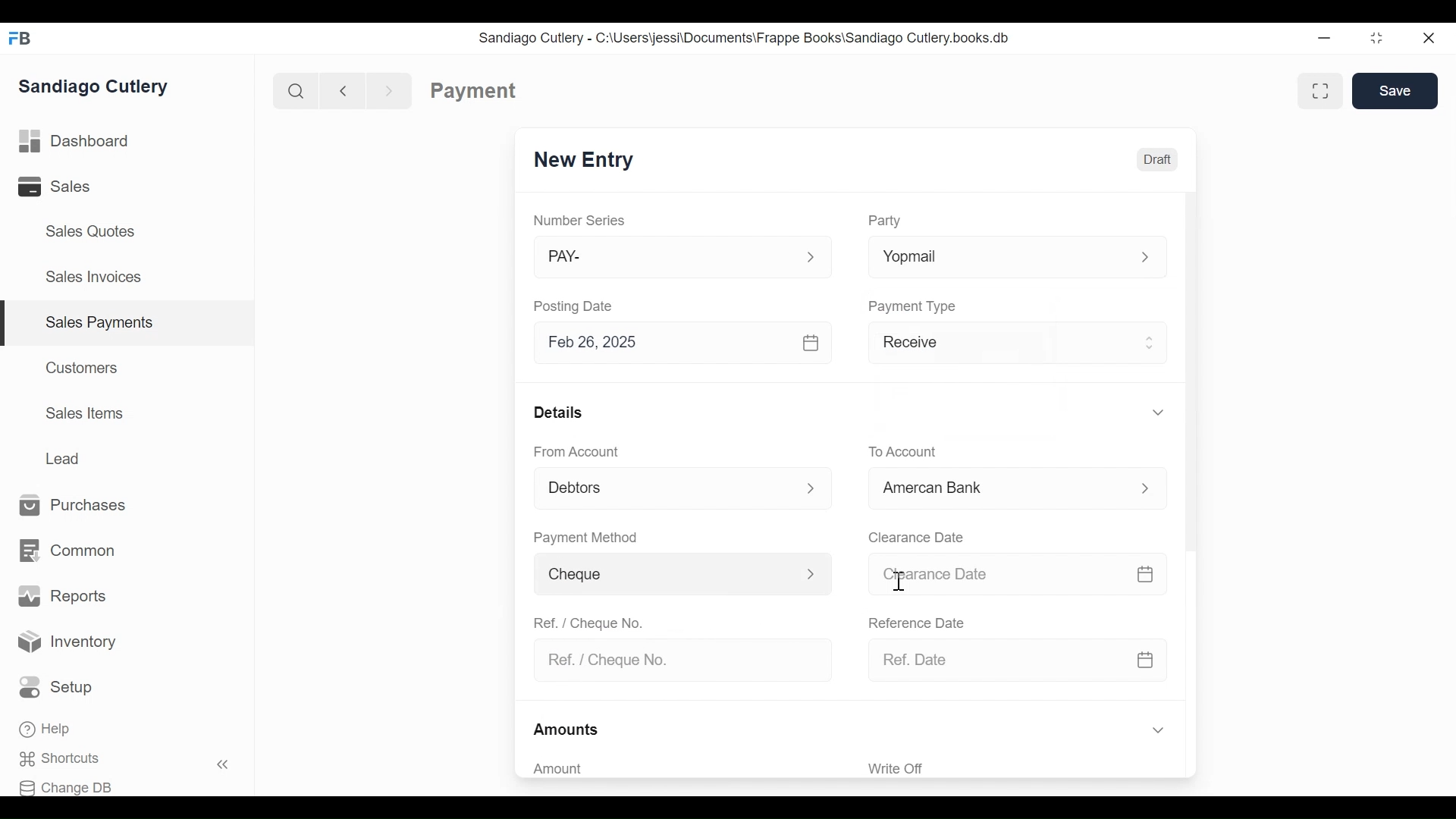  I want to click on Payment Type, so click(913, 306).